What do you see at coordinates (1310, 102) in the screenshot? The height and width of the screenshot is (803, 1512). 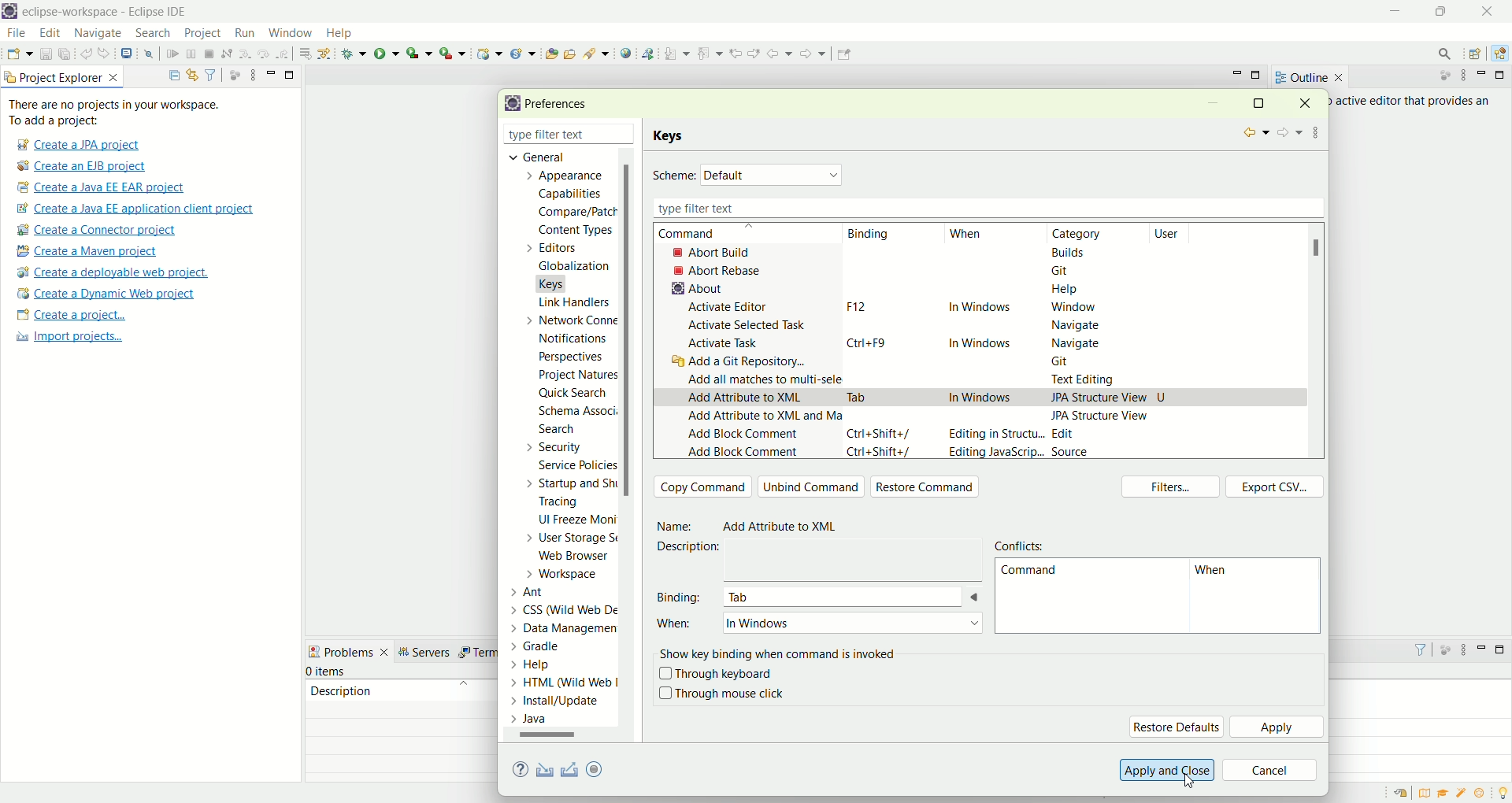 I see `close` at bounding box center [1310, 102].